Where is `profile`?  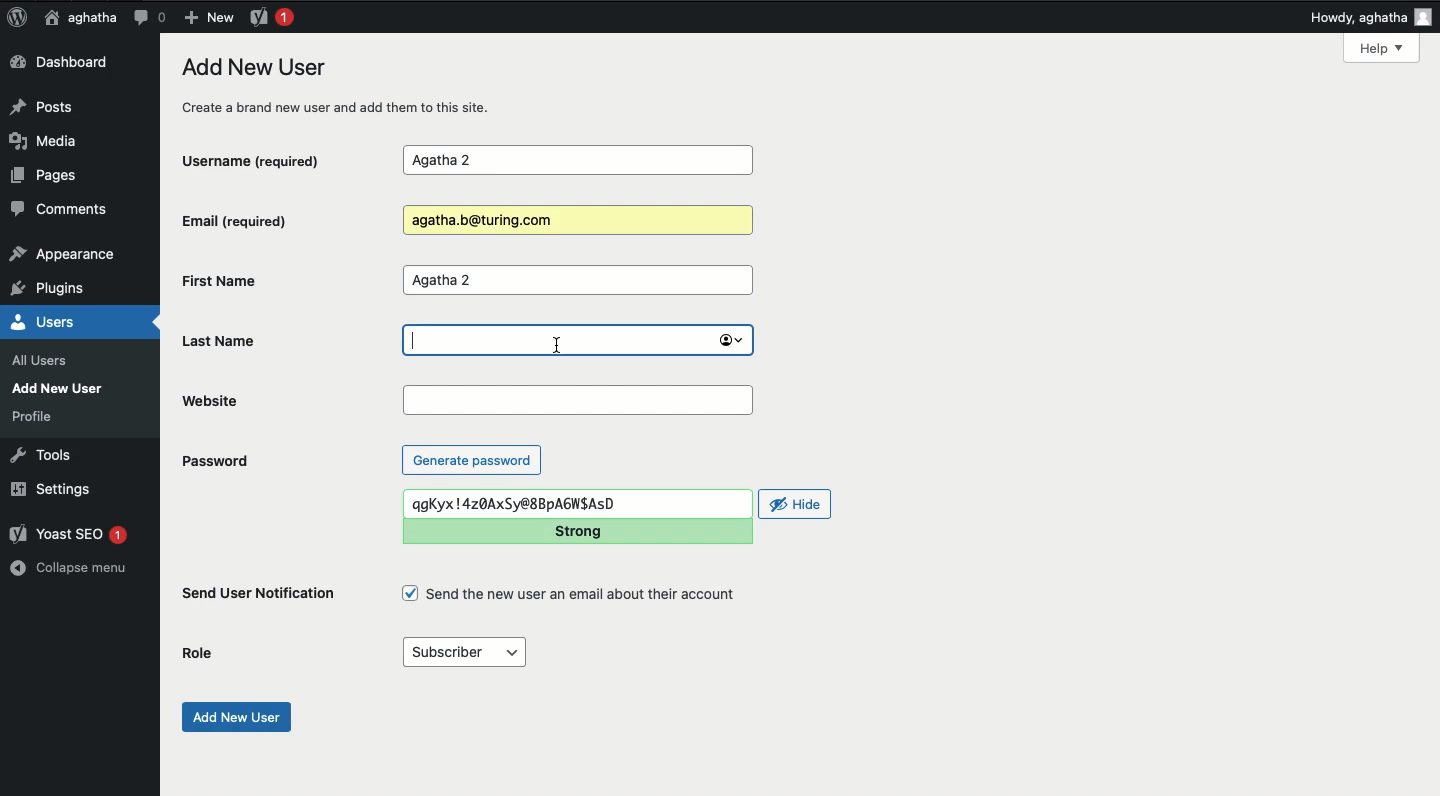 profile is located at coordinates (38, 416).